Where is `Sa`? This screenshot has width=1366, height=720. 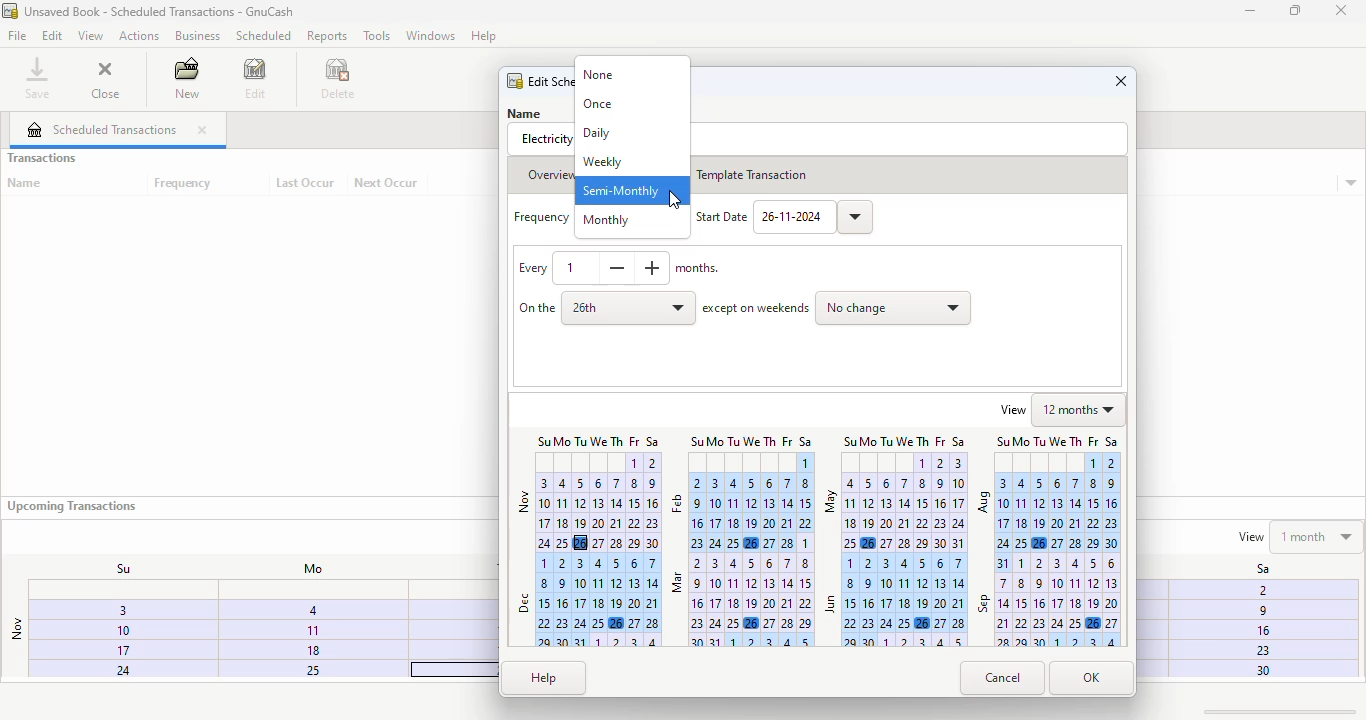 Sa is located at coordinates (1252, 569).